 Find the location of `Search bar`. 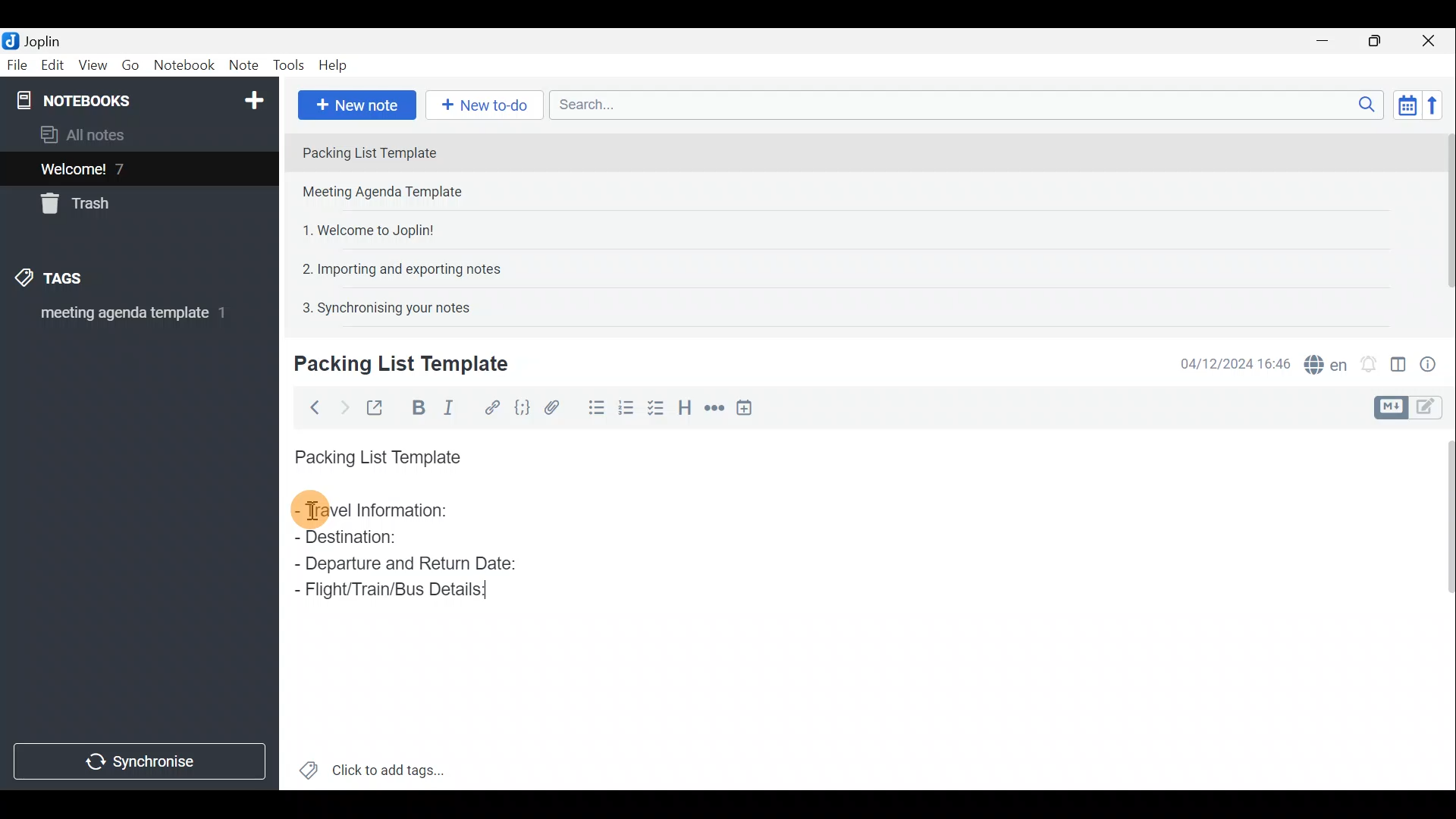

Search bar is located at coordinates (962, 106).